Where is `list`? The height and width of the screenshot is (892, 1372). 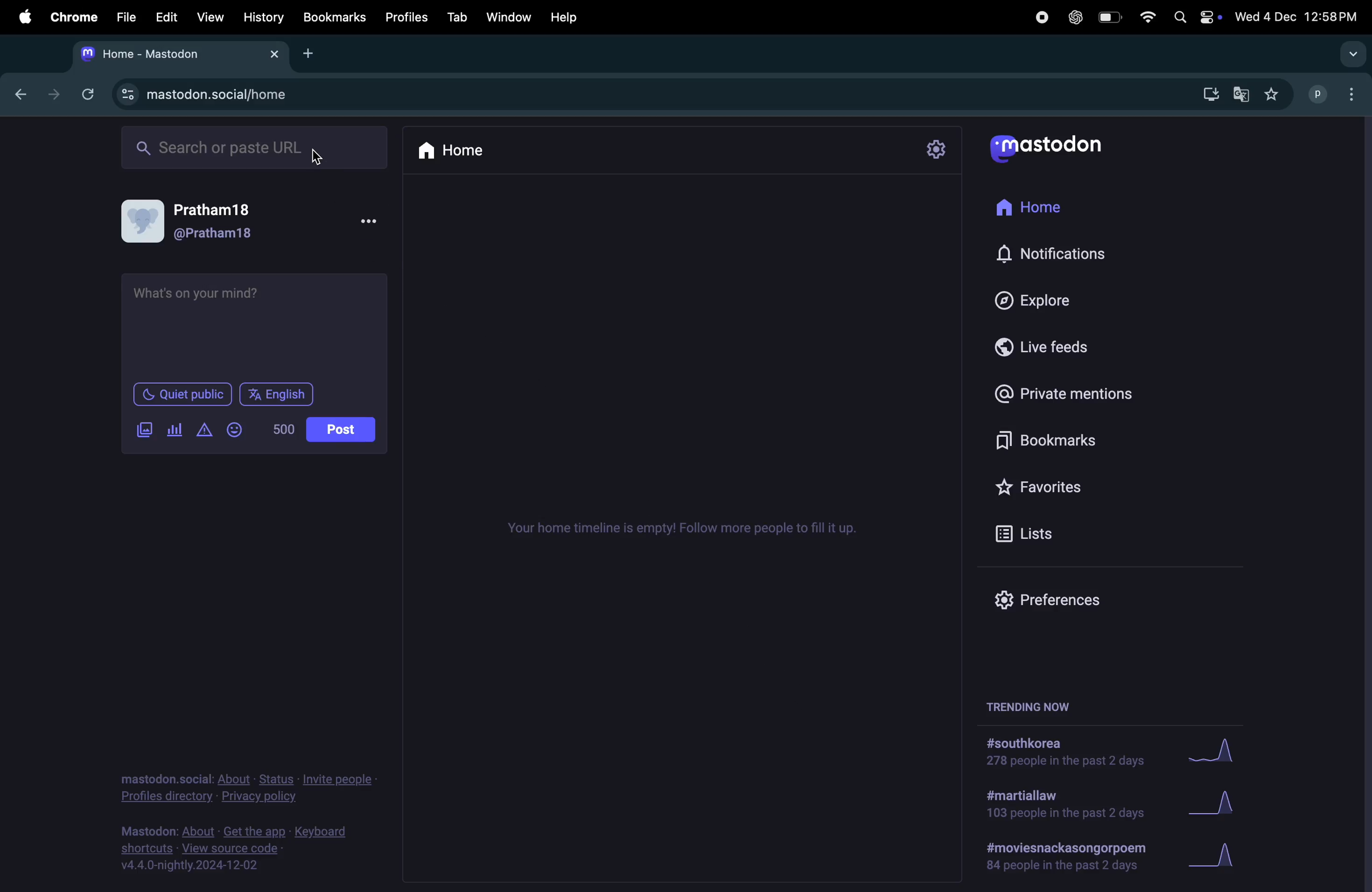
list is located at coordinates (1026, 531).